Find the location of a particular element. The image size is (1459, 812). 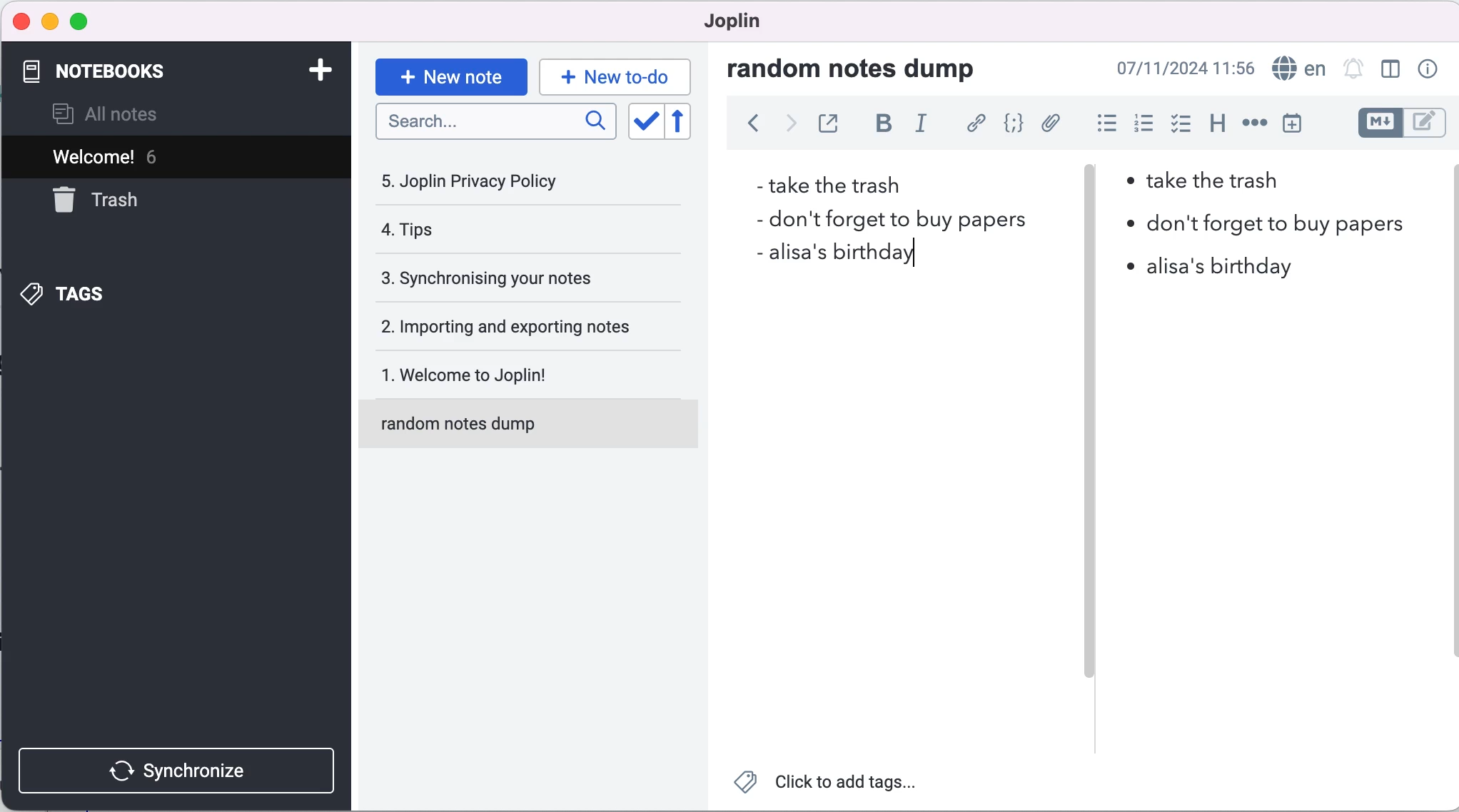

check box is located at coordinates (1177, 123).